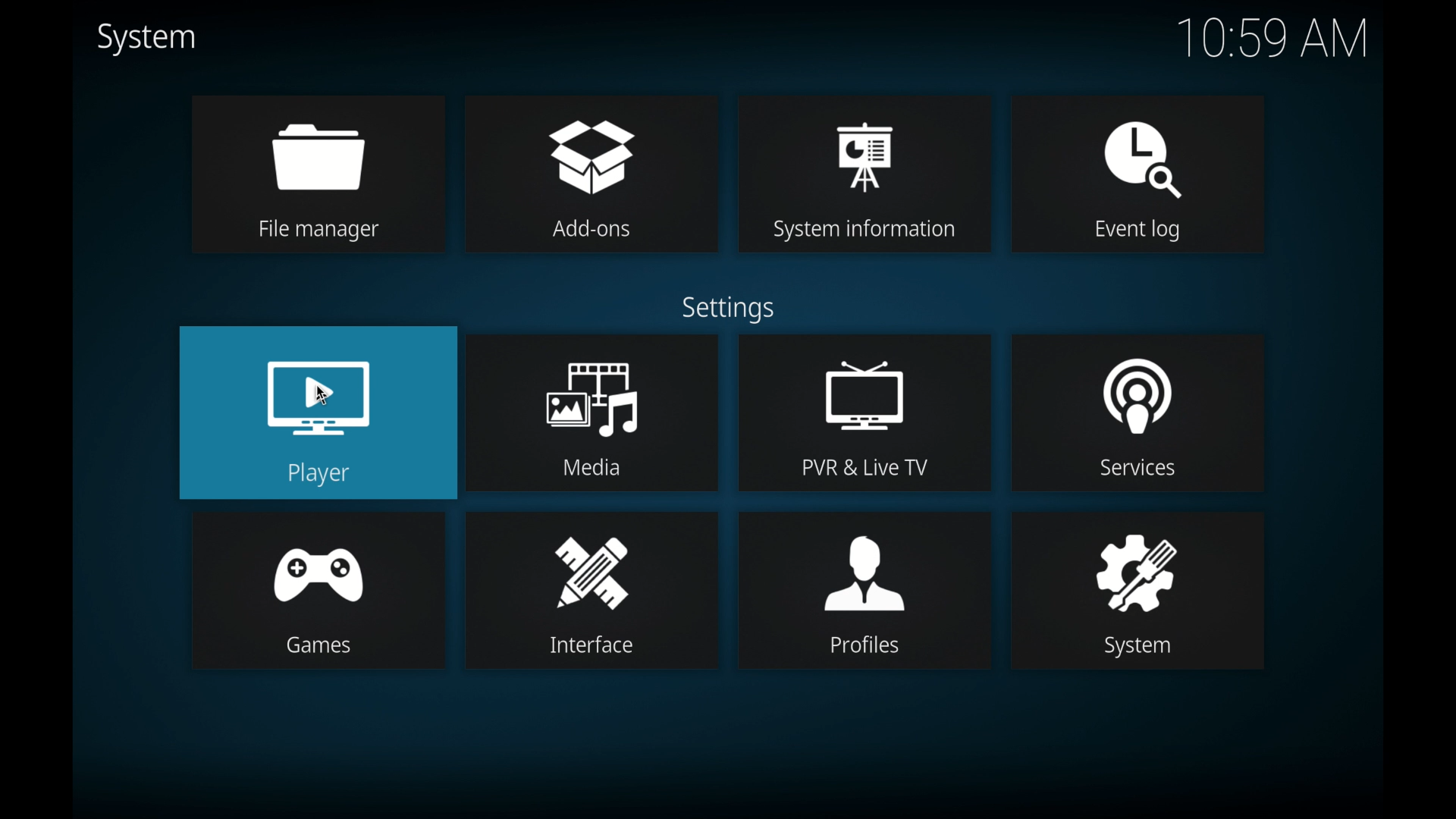 This screenshot has height=819, width=1456. I want to click on add-ons, so click(592, 174).